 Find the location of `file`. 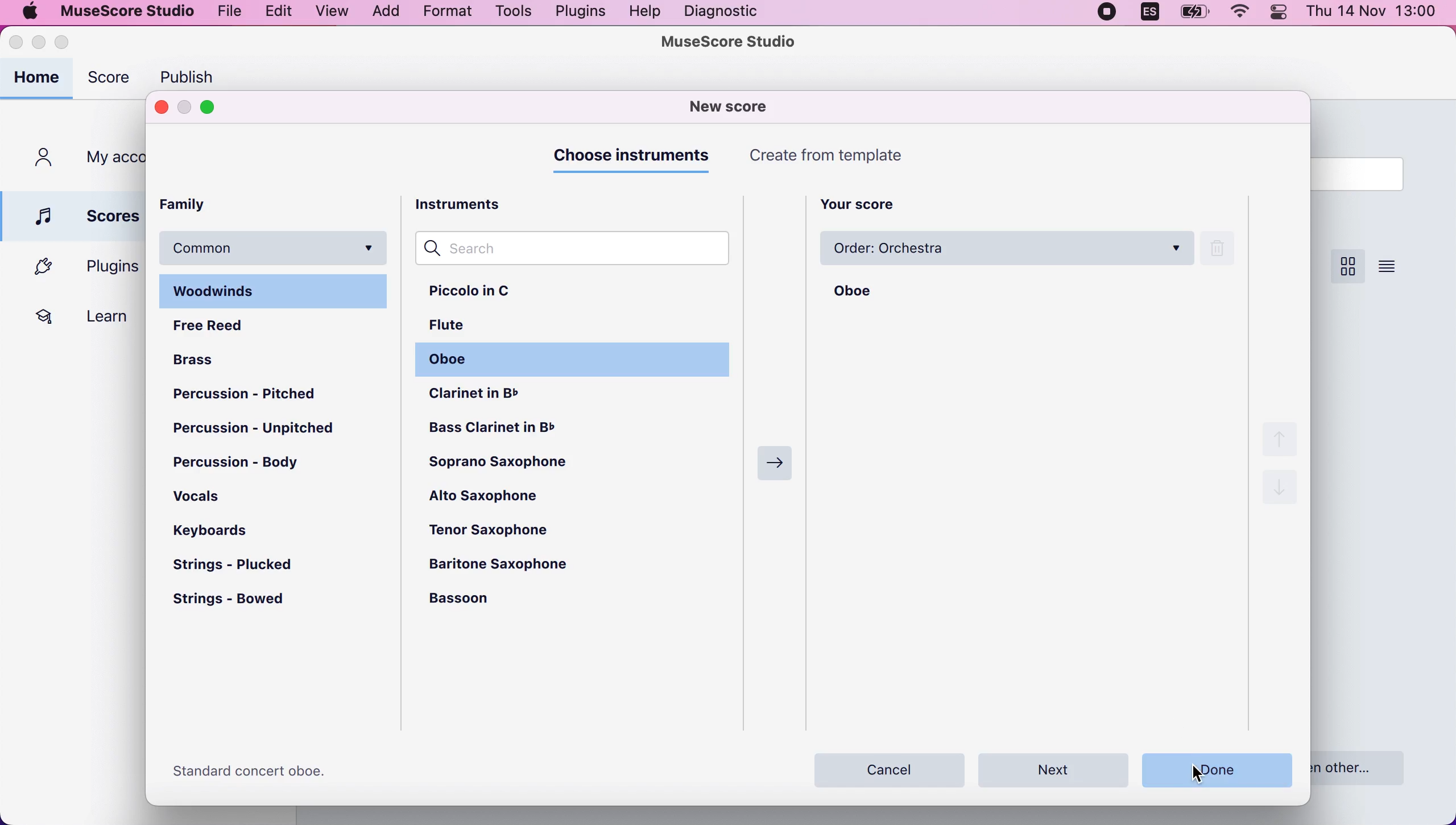

file is located at coordinates (229, 11).